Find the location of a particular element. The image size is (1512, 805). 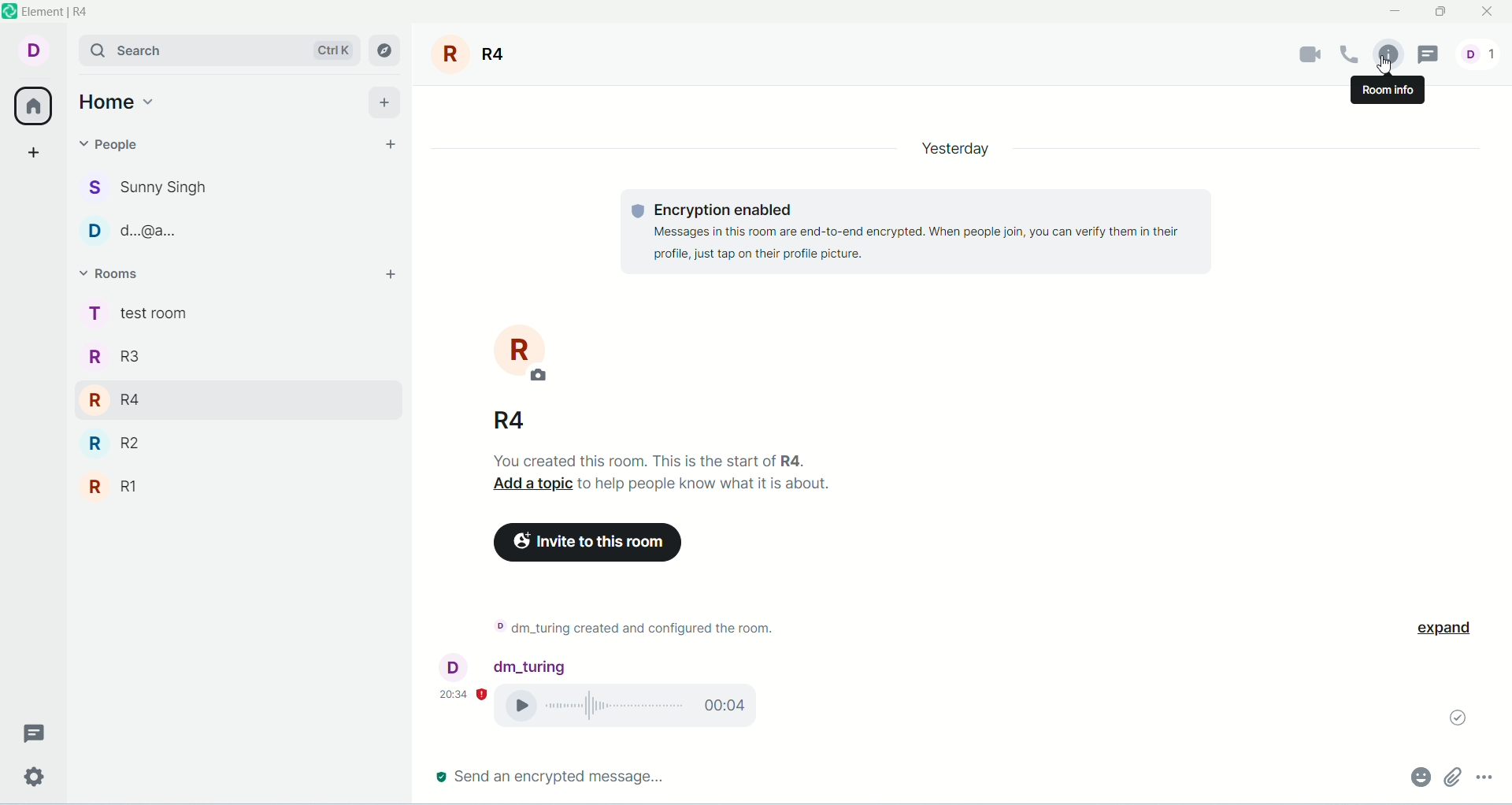

threads is located at coordinates (35, 733).